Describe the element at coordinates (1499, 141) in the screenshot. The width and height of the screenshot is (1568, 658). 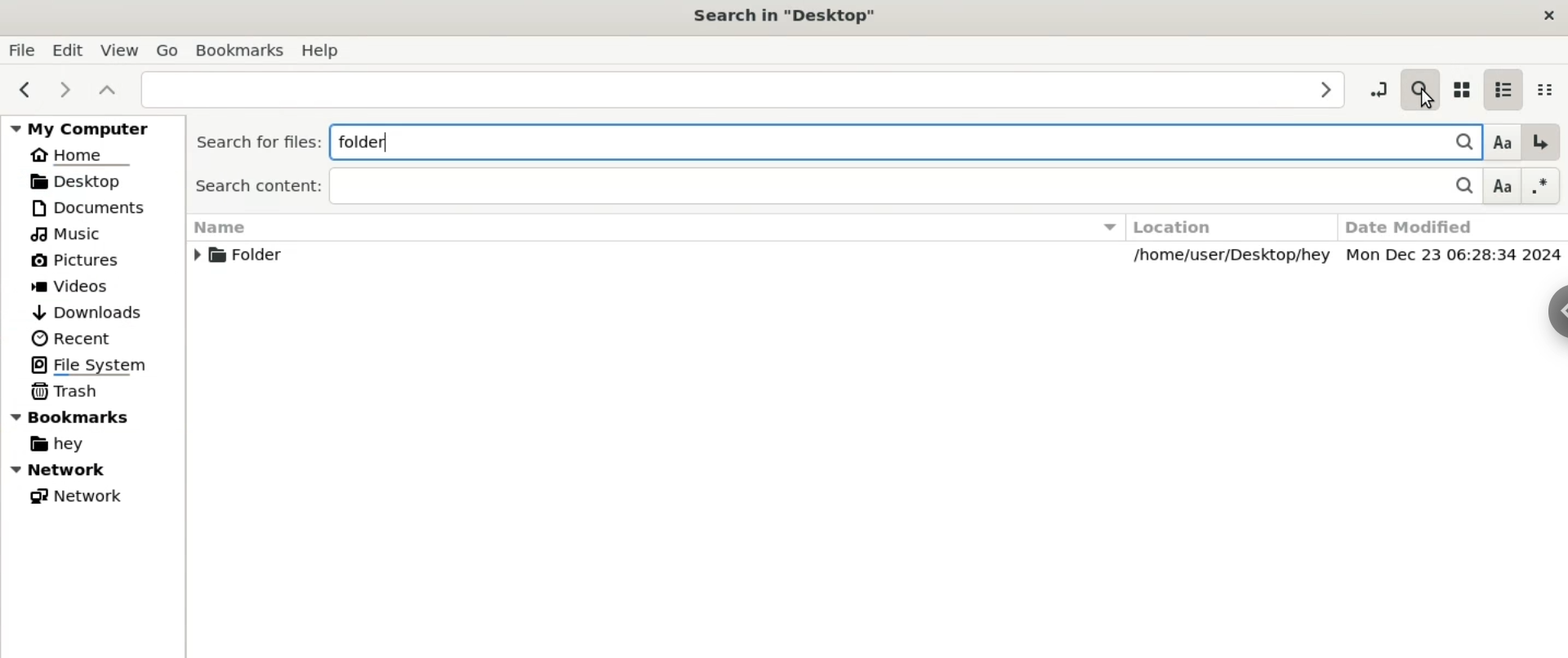
I see `Font` at that location.